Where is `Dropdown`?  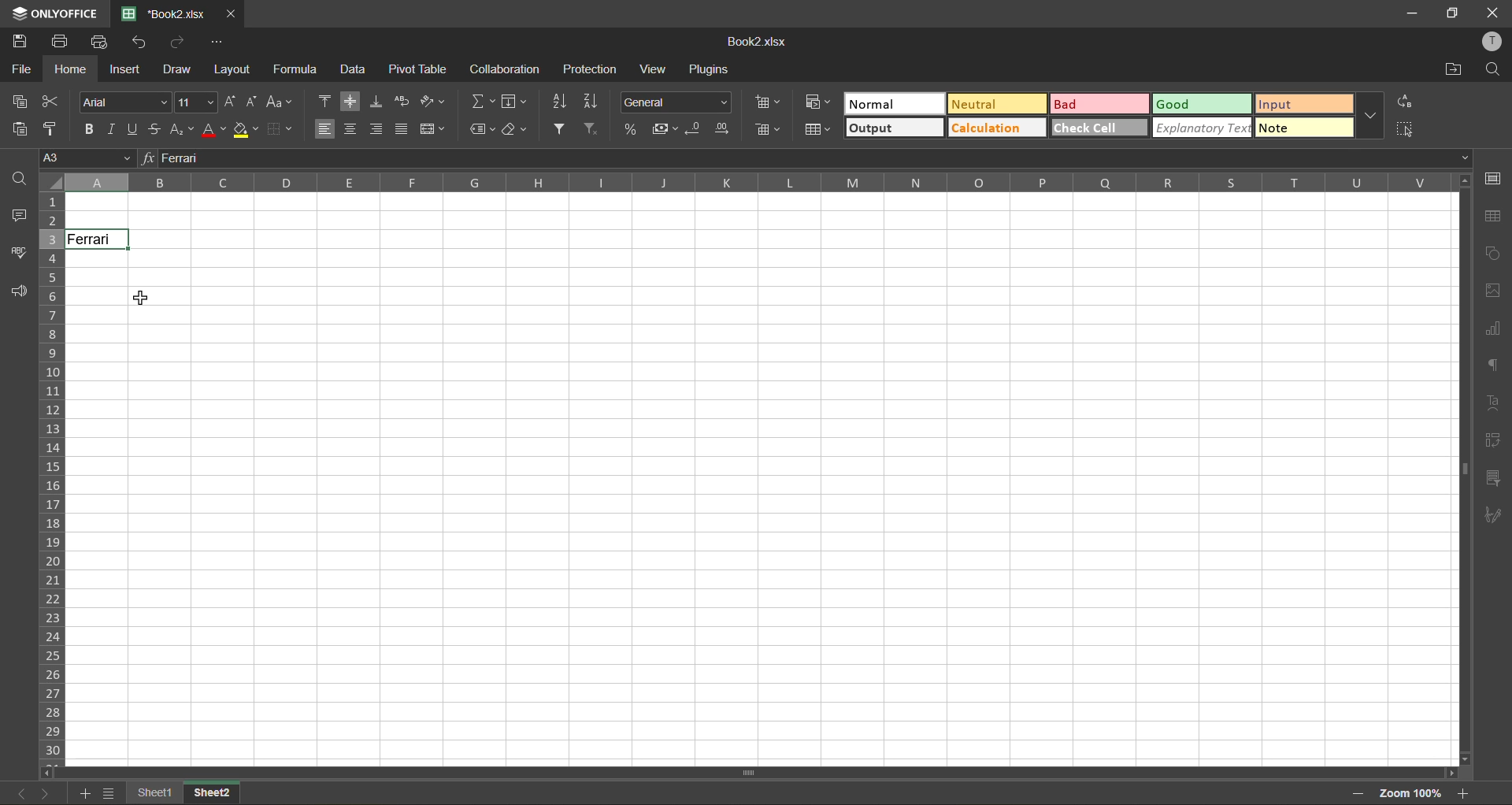
Dropdown is located at coordinates (1466, 158).